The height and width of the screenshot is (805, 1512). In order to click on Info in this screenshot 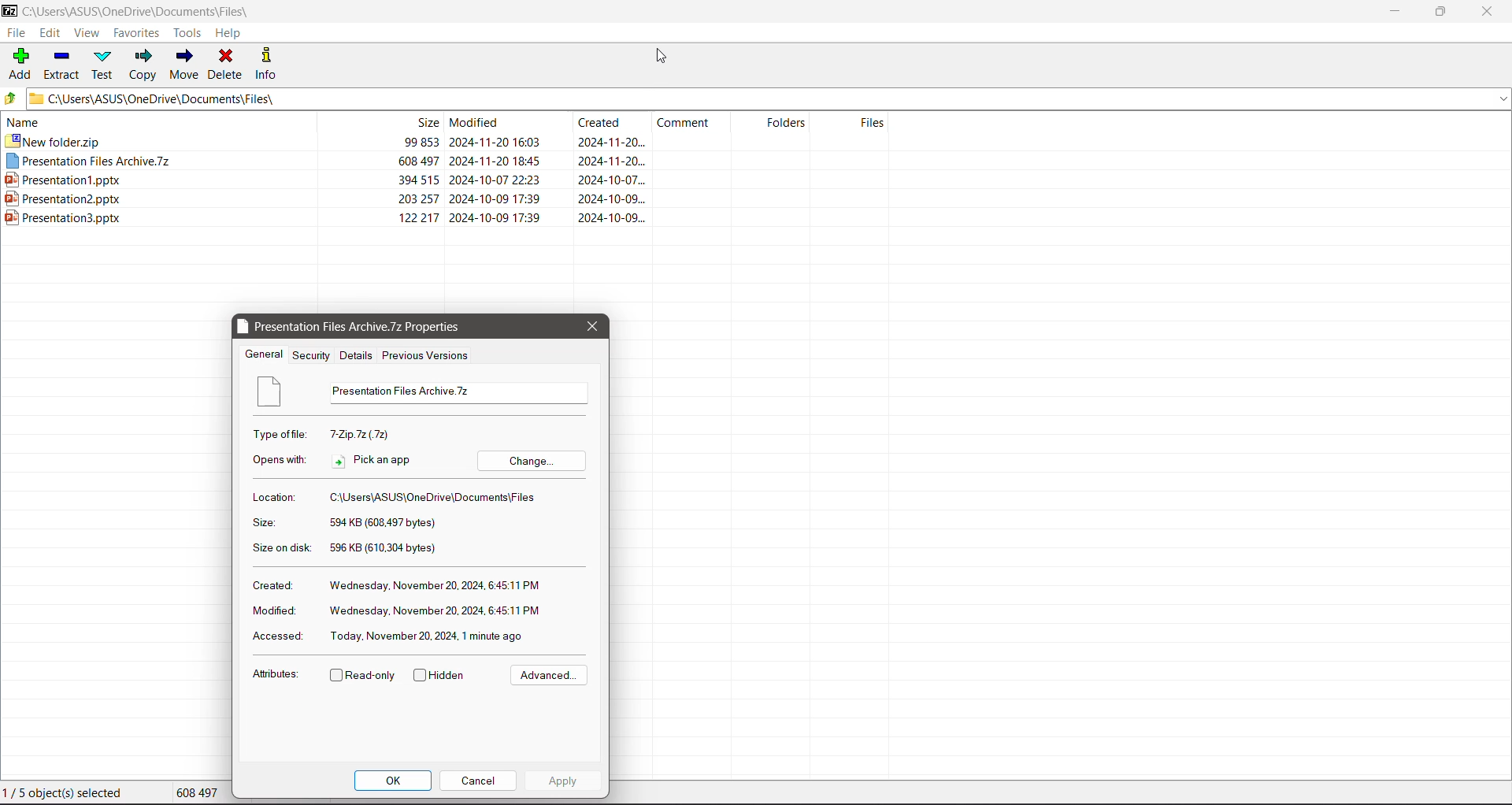, I will do `click(268, 65)`.